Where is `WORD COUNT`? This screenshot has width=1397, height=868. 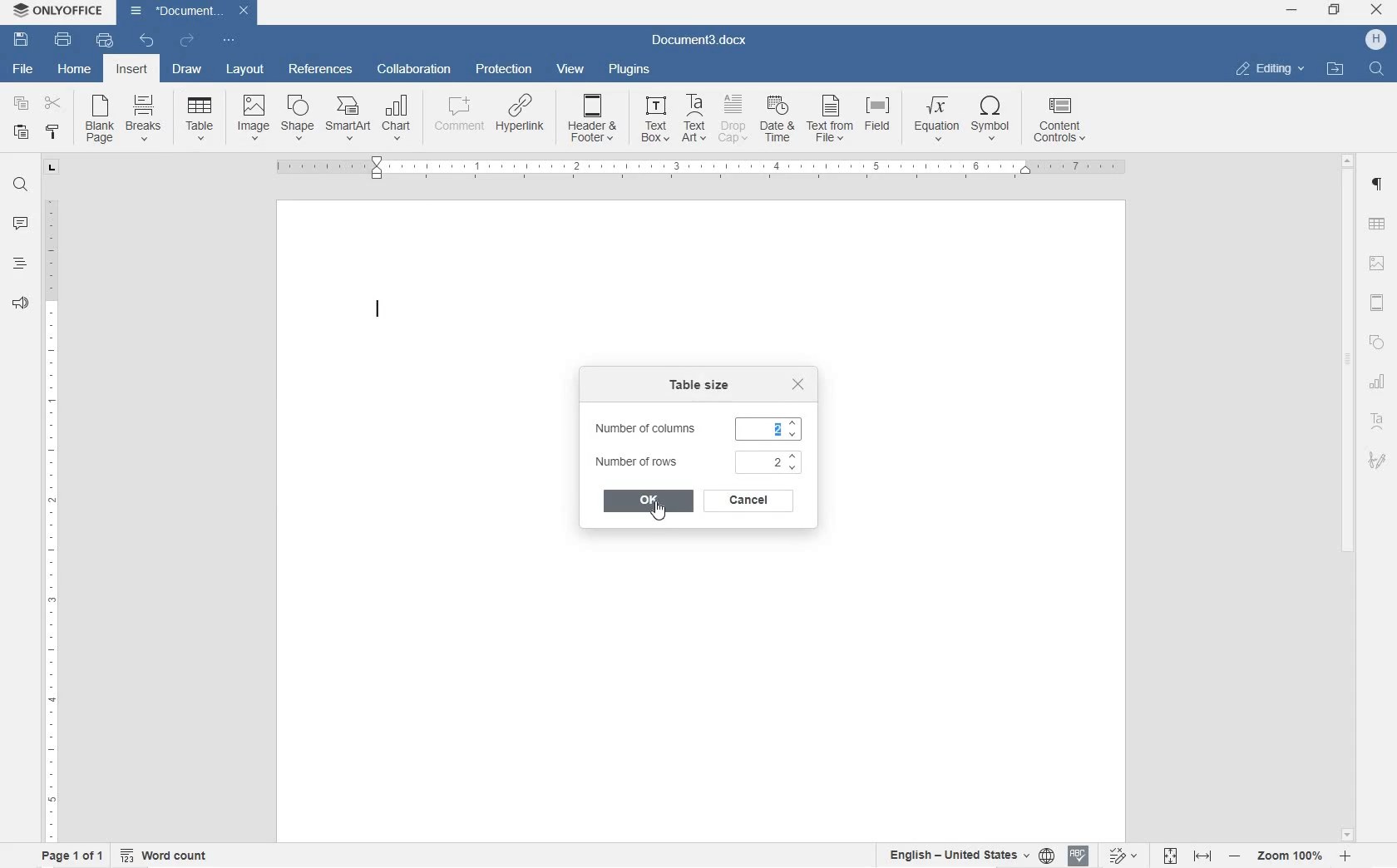
WORD COUNT is located at coordinates (165, 854).